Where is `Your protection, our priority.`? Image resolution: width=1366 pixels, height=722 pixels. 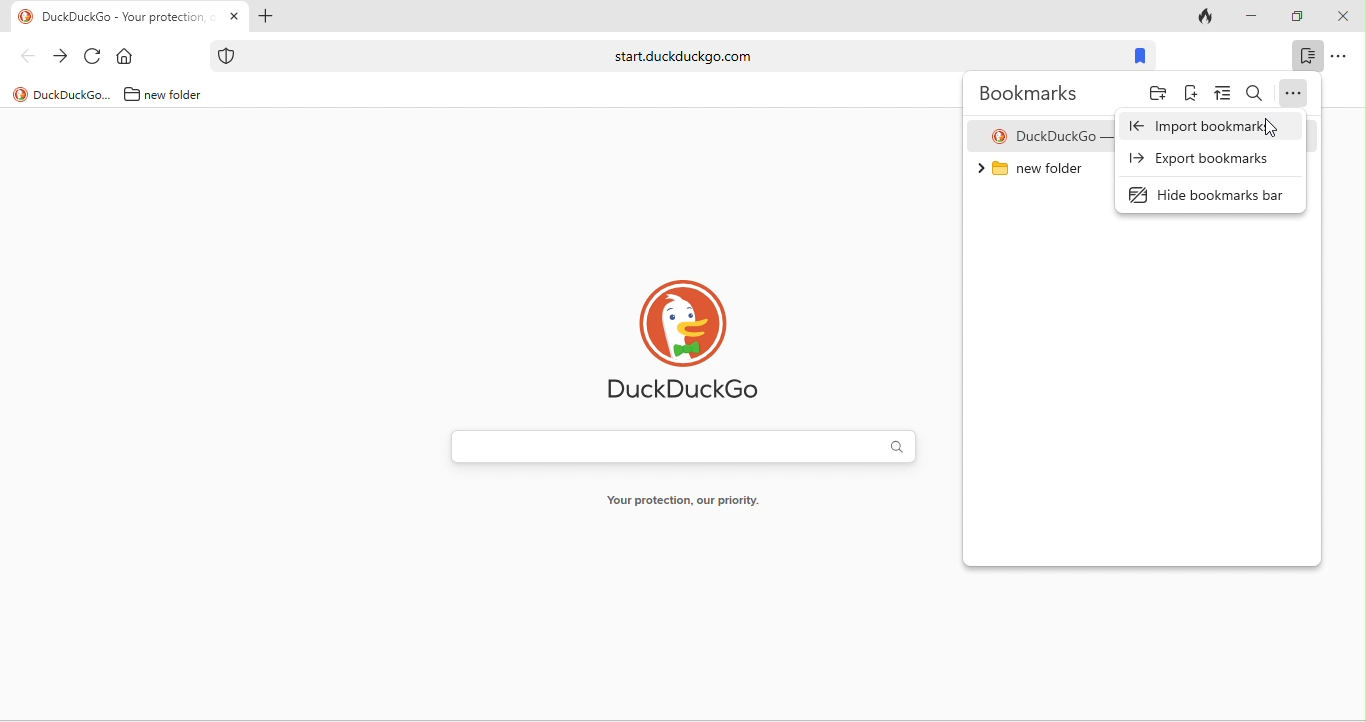
Your protection, our priority. is located at coordinates (682, 504).